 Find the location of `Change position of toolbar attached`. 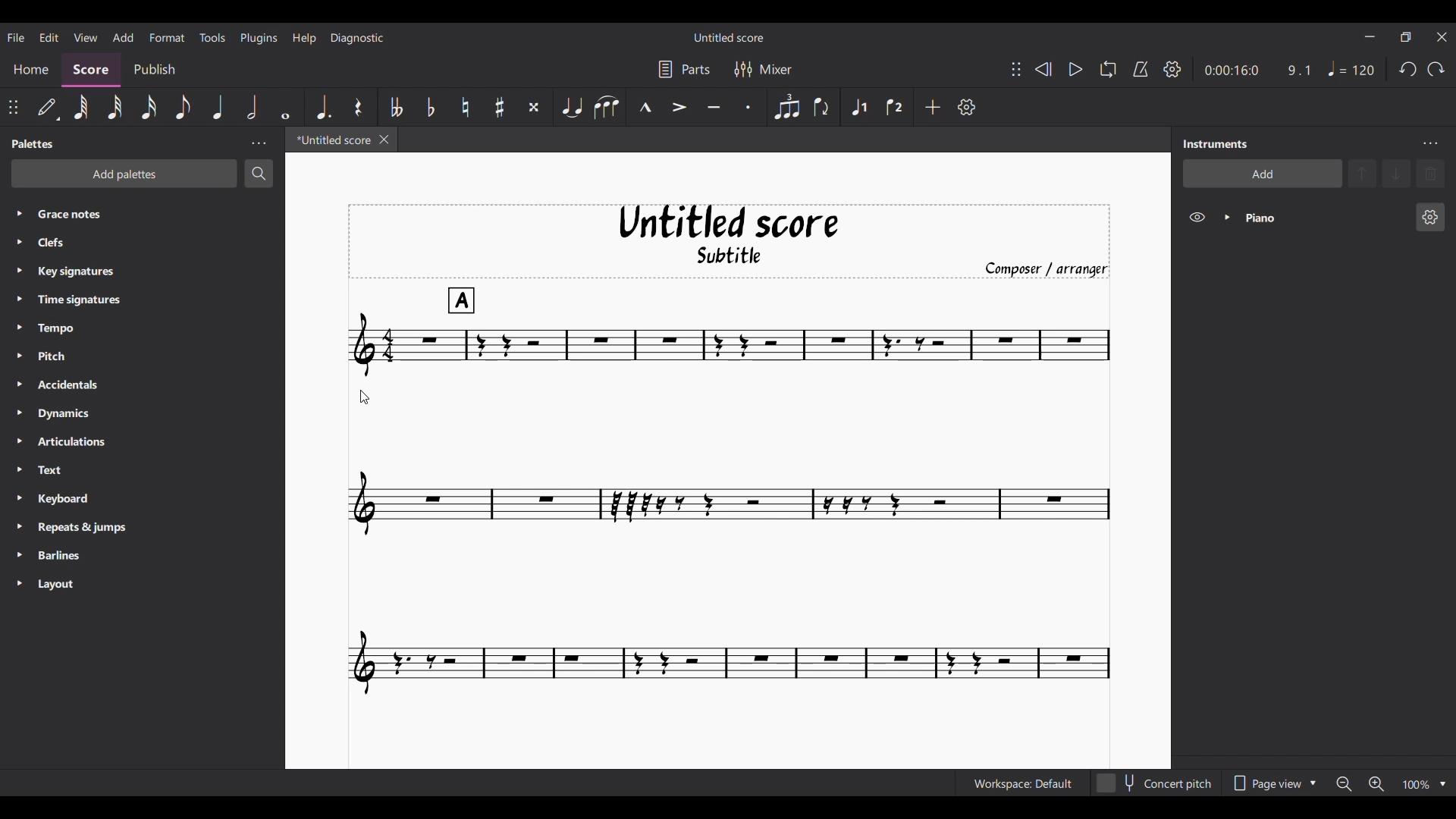

Change position of toolbar attached is located at coordinates (1016, 69).